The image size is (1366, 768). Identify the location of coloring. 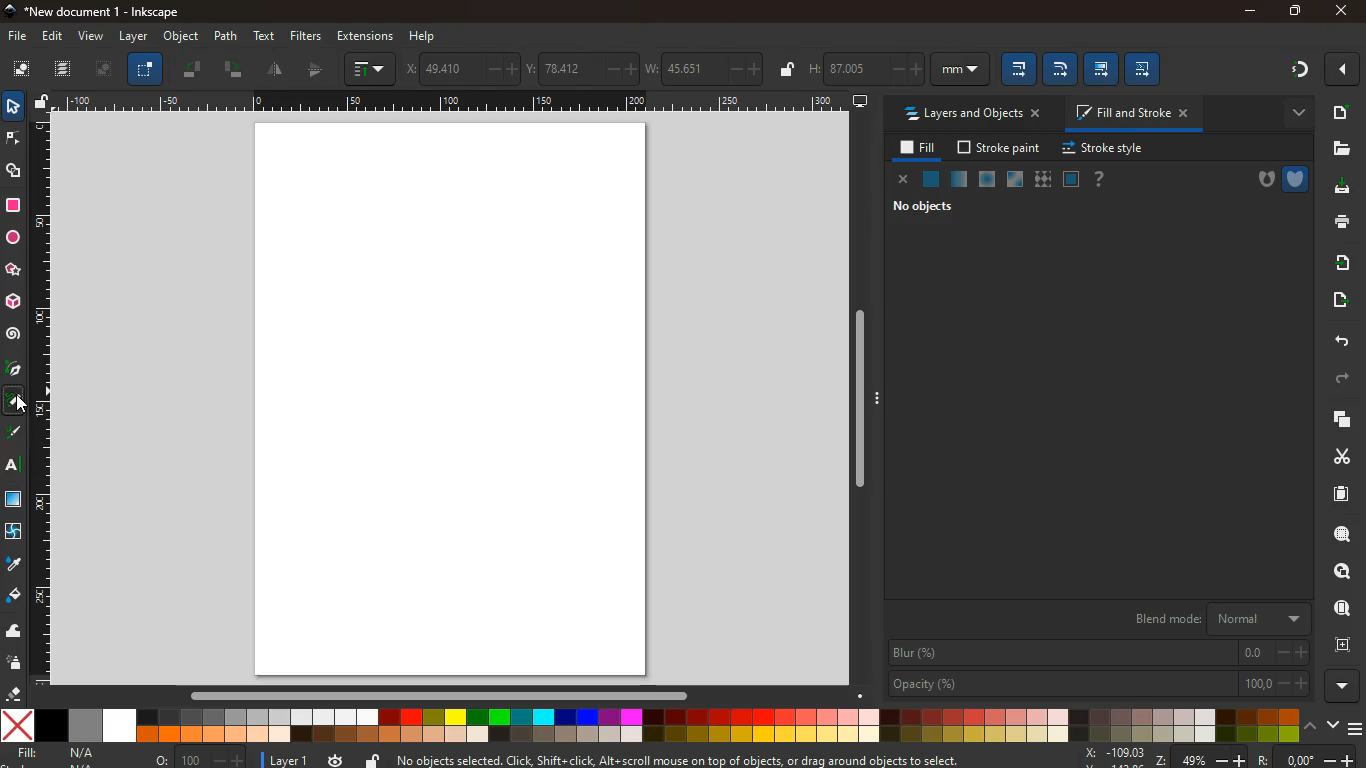
(14, 401).